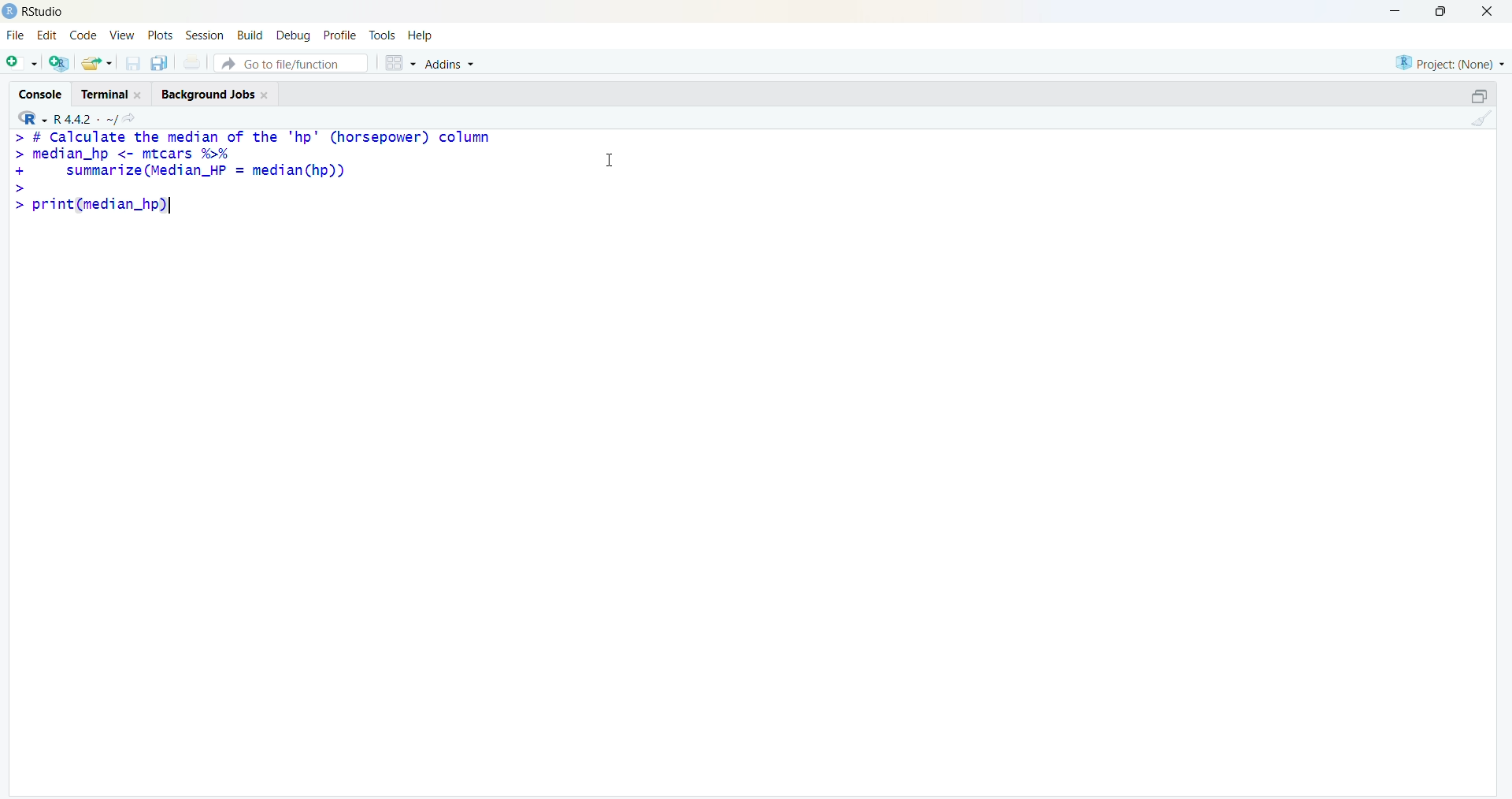 The height and width of the screenshot is (799, 1512). What do you see at coordinates (340, 35) in the screenshot?
I see `profile` at bounding box center [340, 35].